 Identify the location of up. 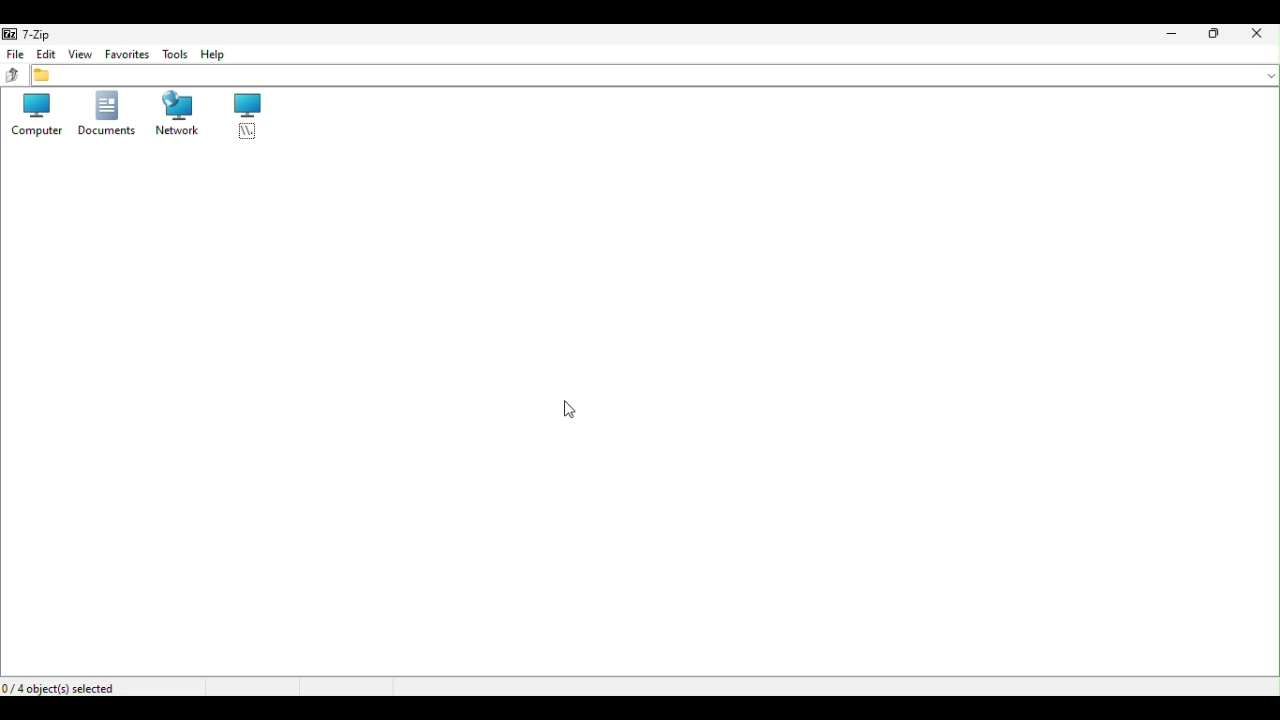
(13, 76).